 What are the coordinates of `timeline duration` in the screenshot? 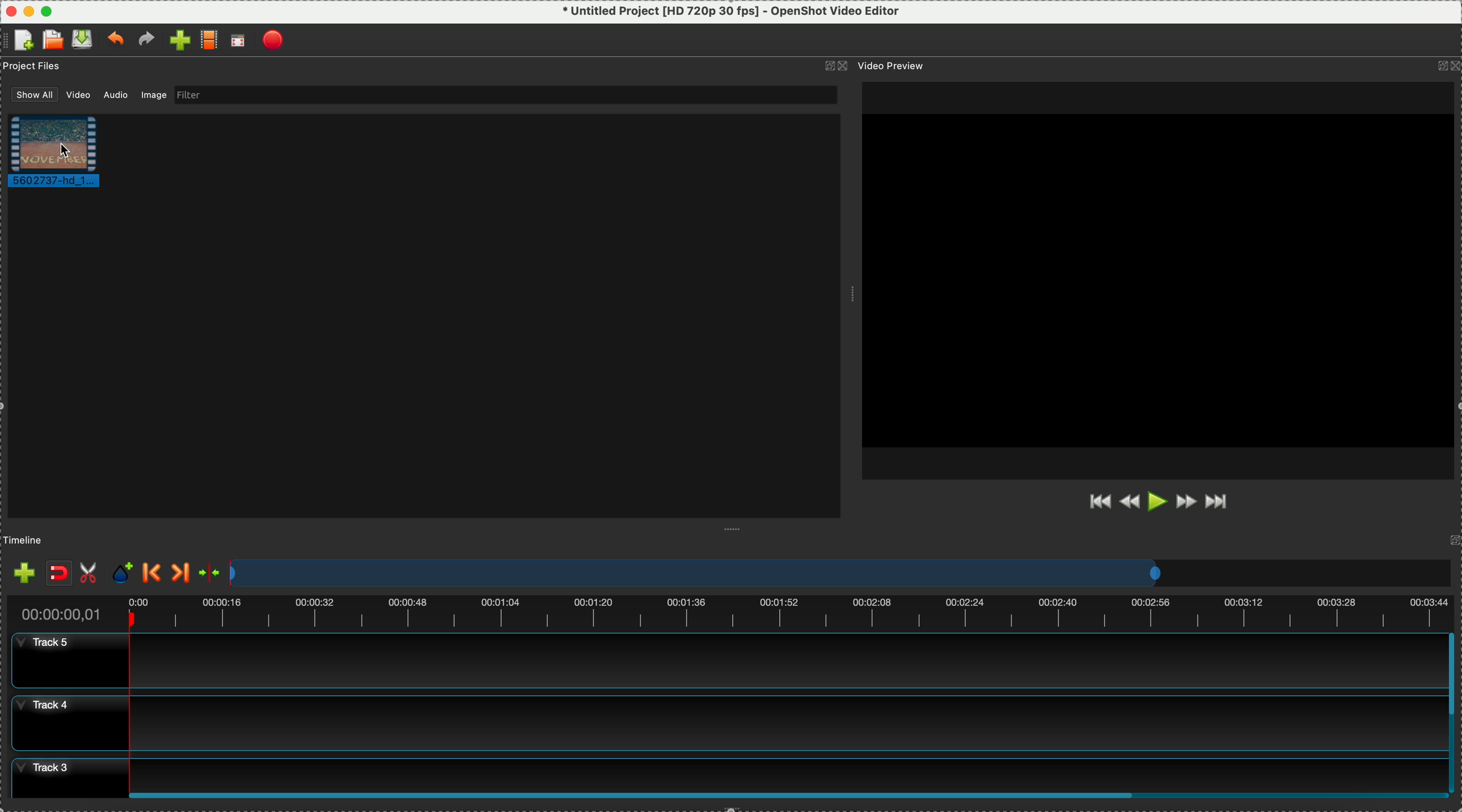 It's located at (728, 610).